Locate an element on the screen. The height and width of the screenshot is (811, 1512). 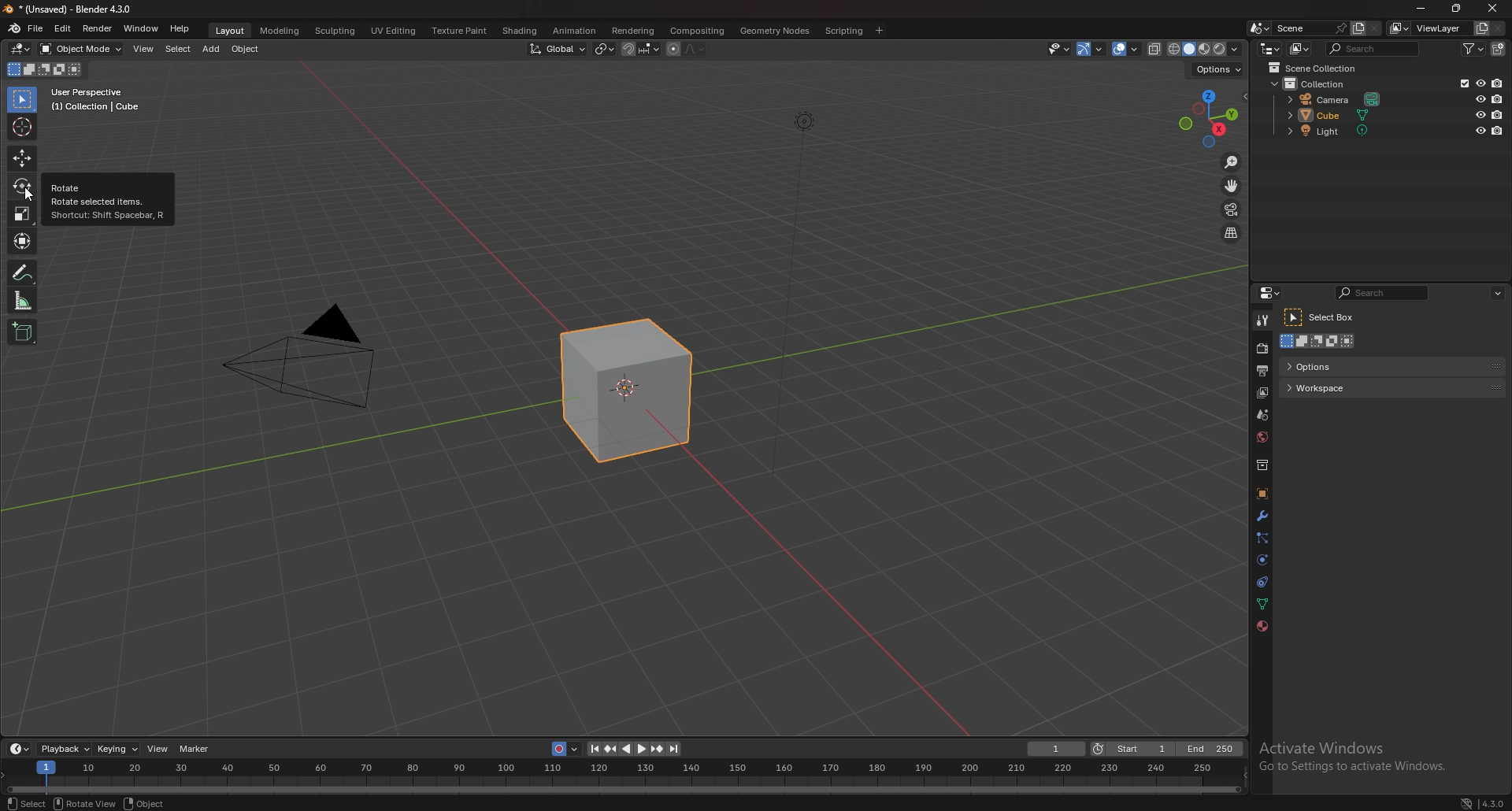
hide in view port is located at coordinates (1480, 83).